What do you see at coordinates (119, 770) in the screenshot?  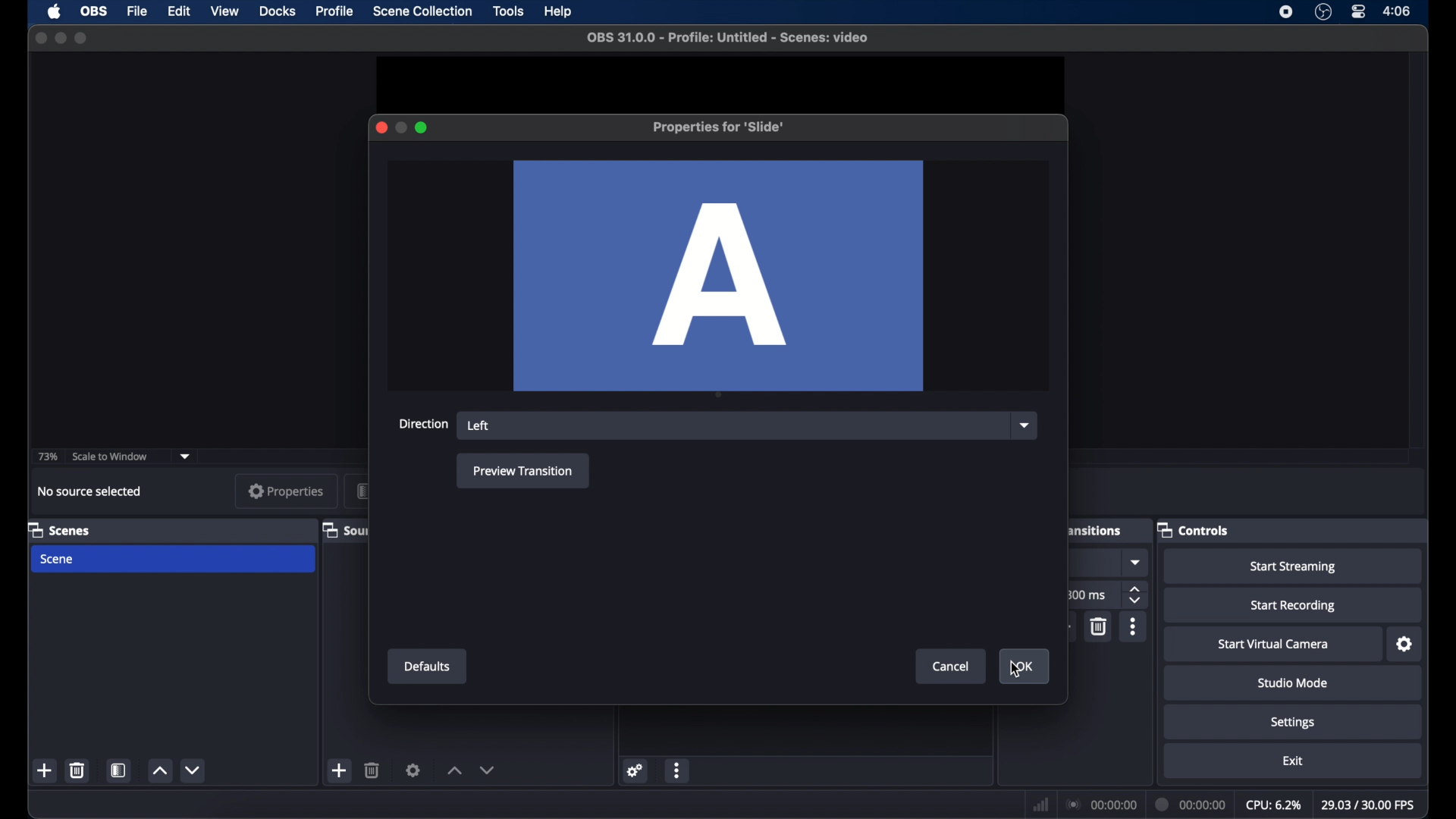 I see `scene filters` at bounding box center [119, 770].